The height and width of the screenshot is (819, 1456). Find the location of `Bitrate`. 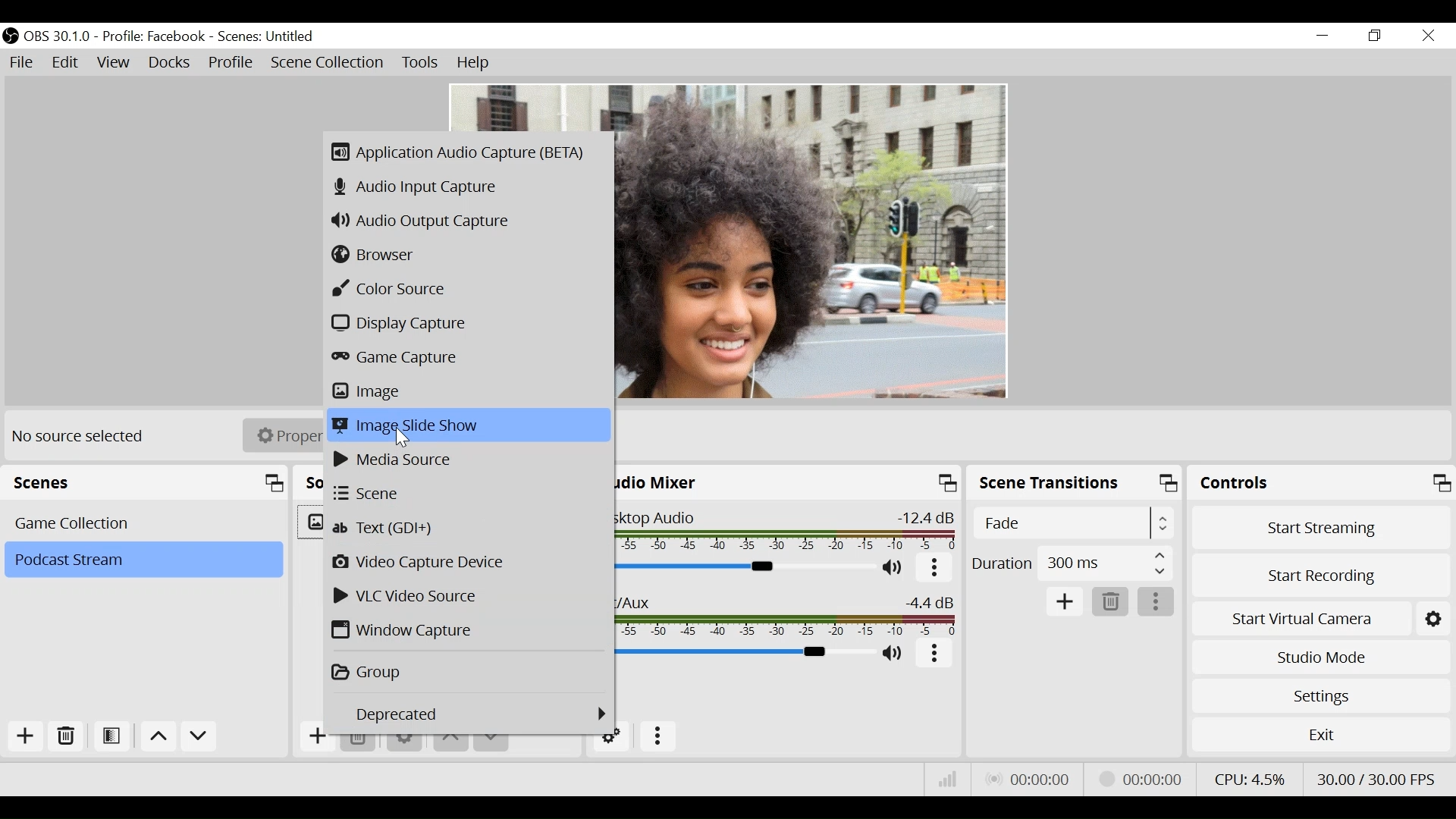

Bitrate is located at coordinates (948, 780).